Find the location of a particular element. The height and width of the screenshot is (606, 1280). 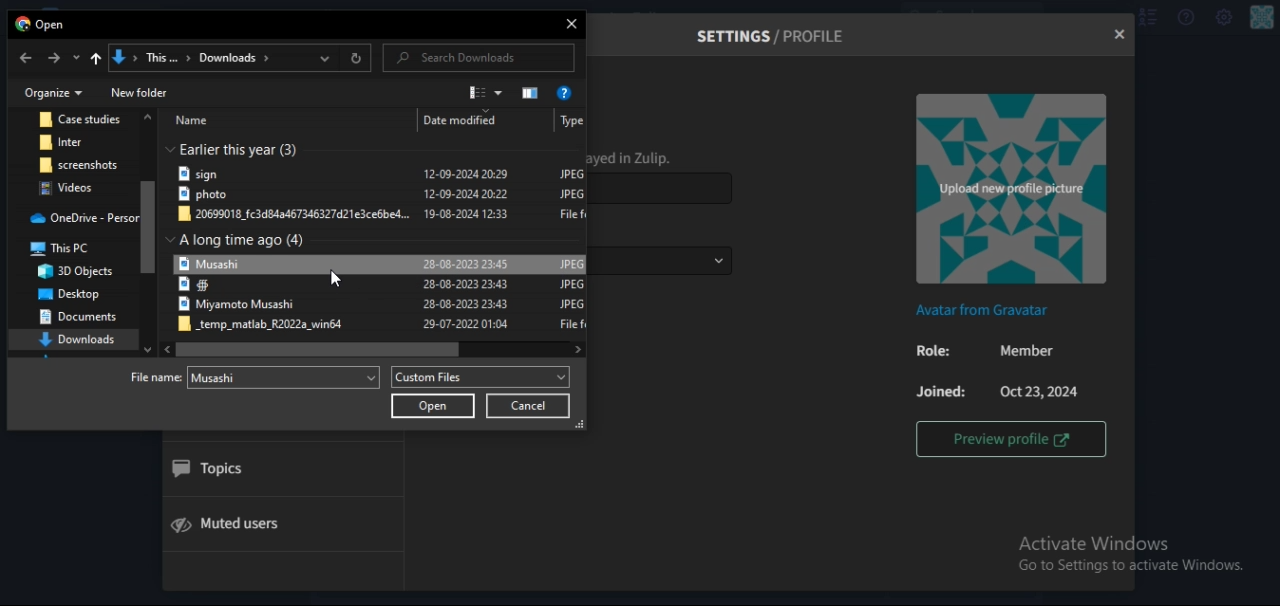

file is located at coordinates (81, 120).